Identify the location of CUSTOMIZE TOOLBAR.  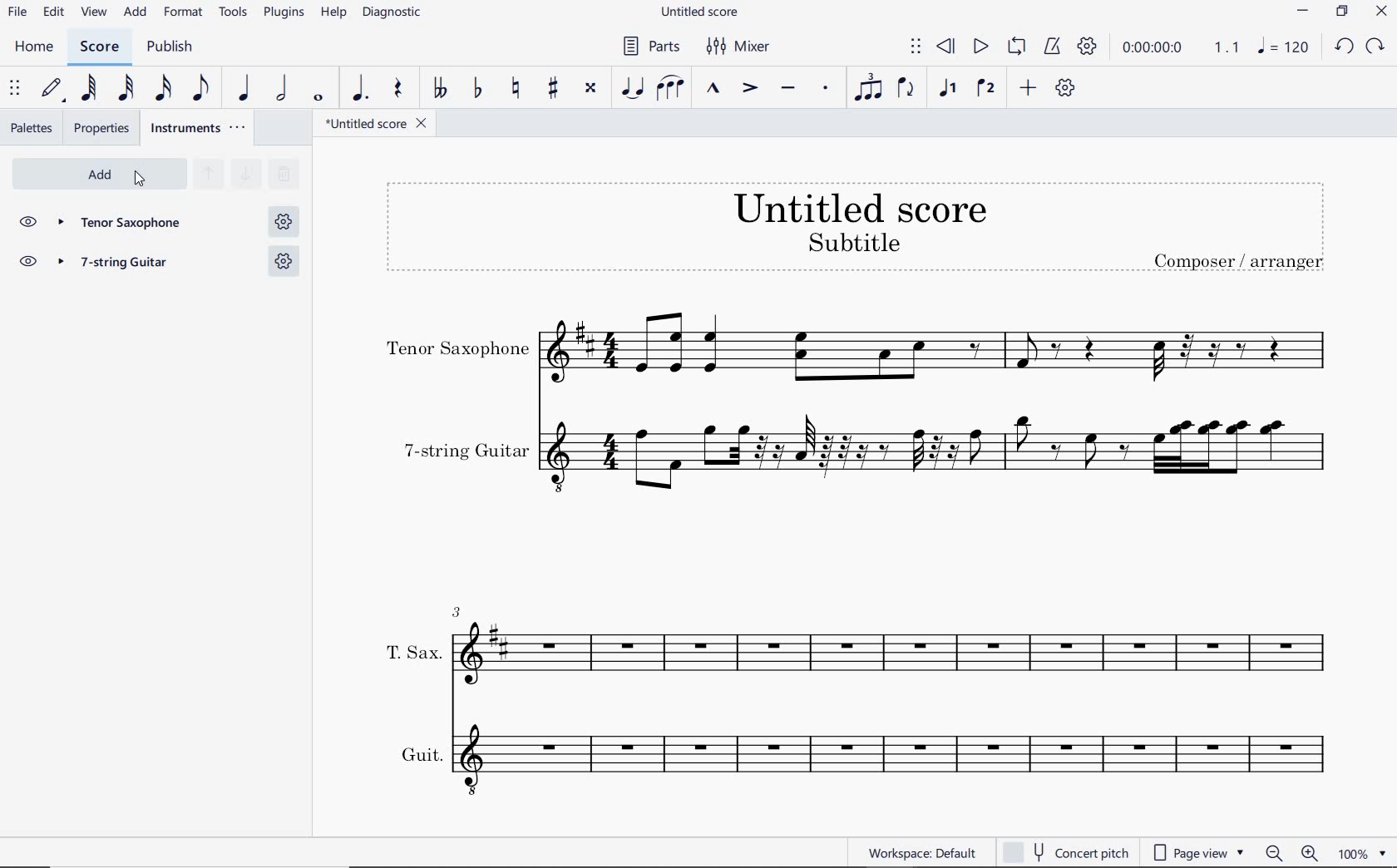
(1064, 88).